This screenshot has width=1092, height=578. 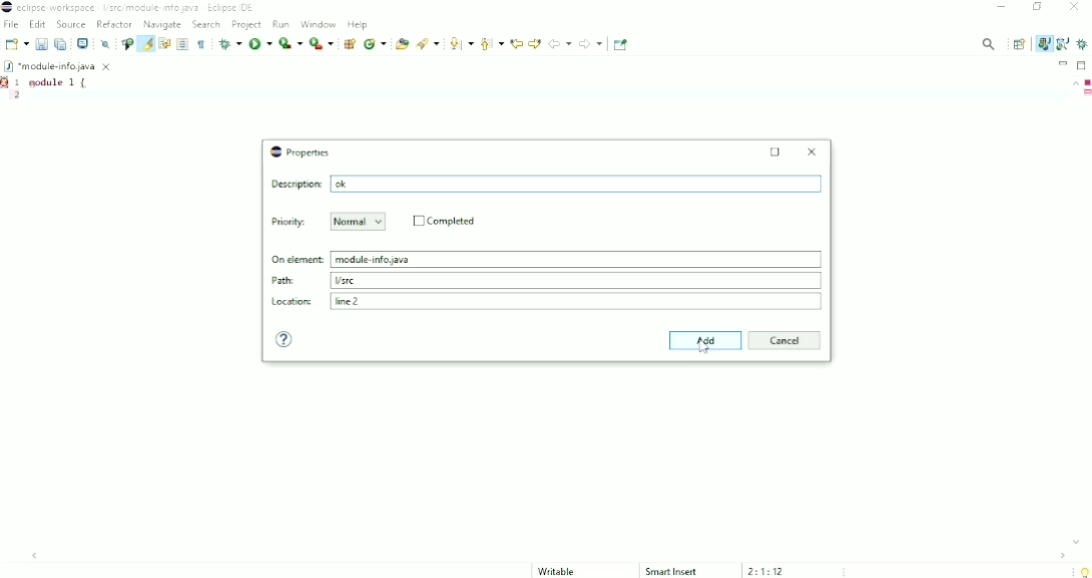 I want to click on Save, so click(x=41, y=44).